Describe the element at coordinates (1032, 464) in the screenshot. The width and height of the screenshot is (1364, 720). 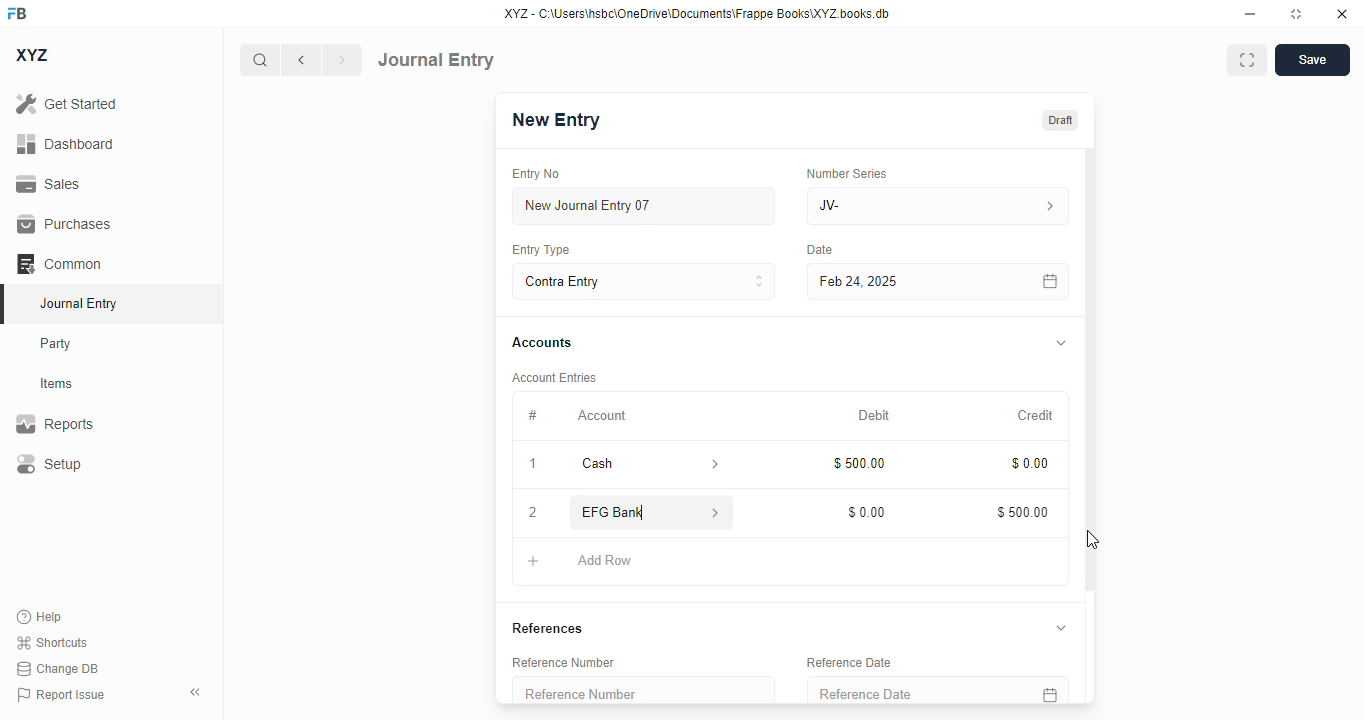
I see `$0.00` at that location.